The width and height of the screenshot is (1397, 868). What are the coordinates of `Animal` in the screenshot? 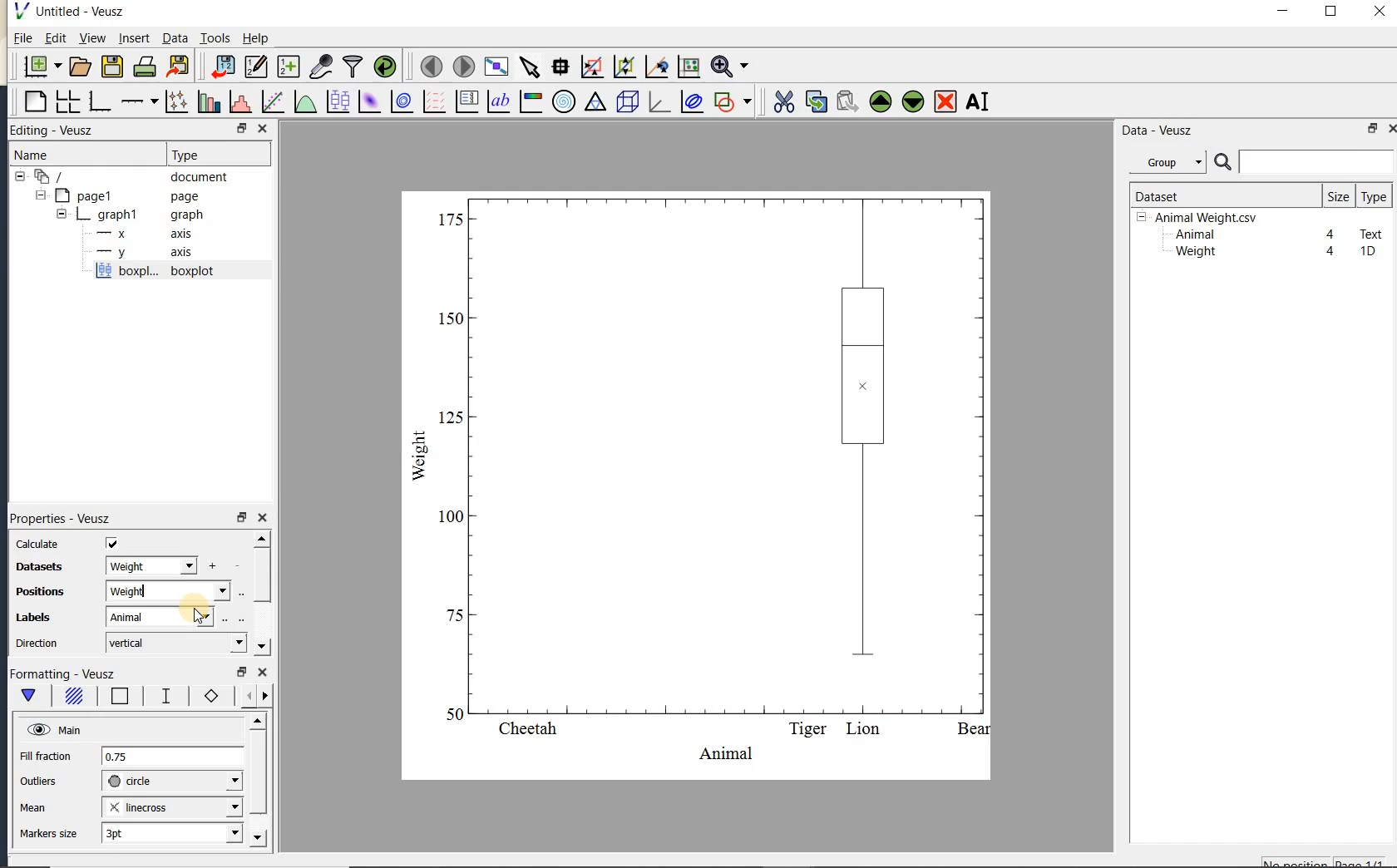 It's located at (1193, 235).